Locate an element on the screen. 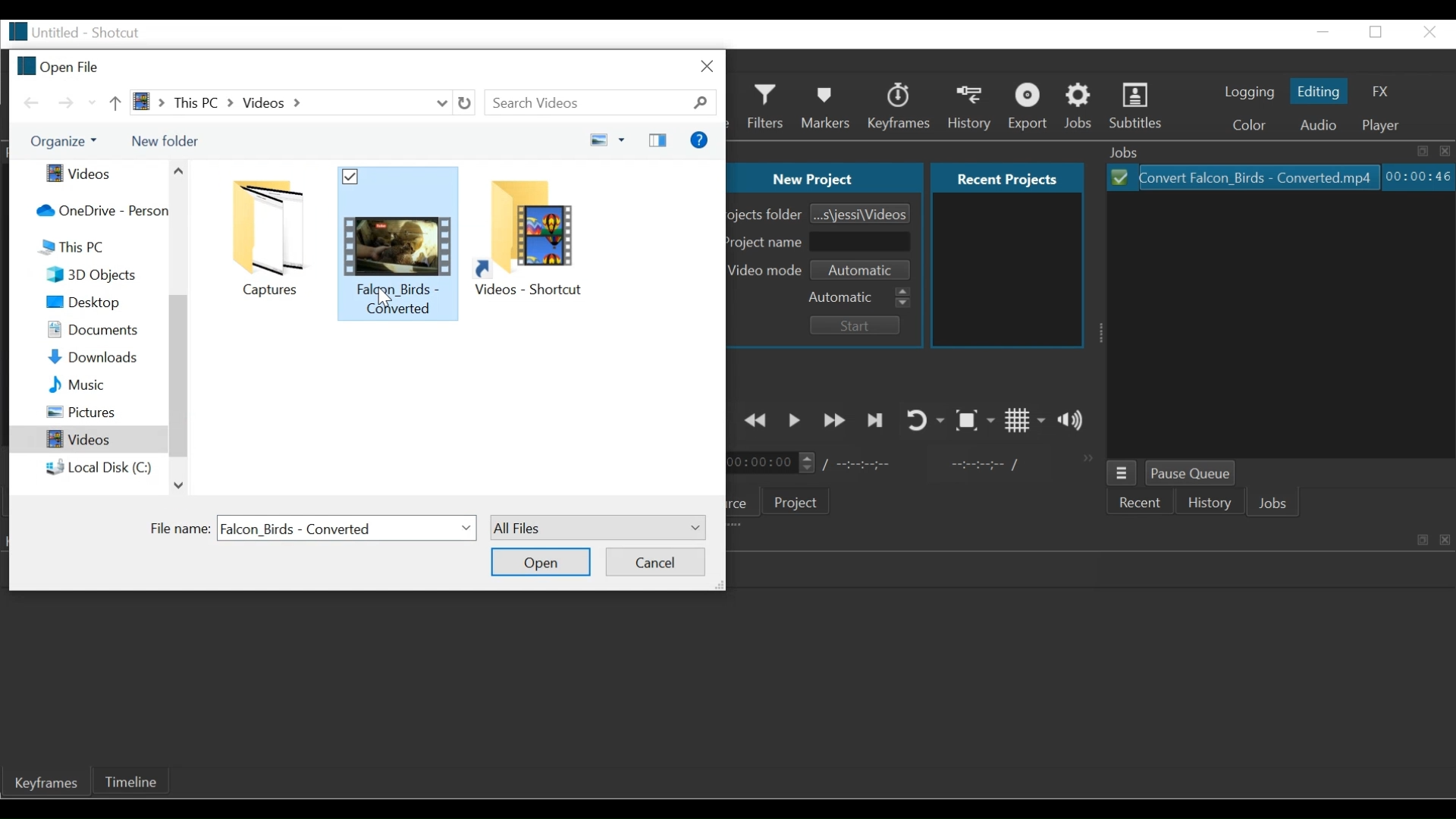  New Folder is located at coordinates (162, 140).